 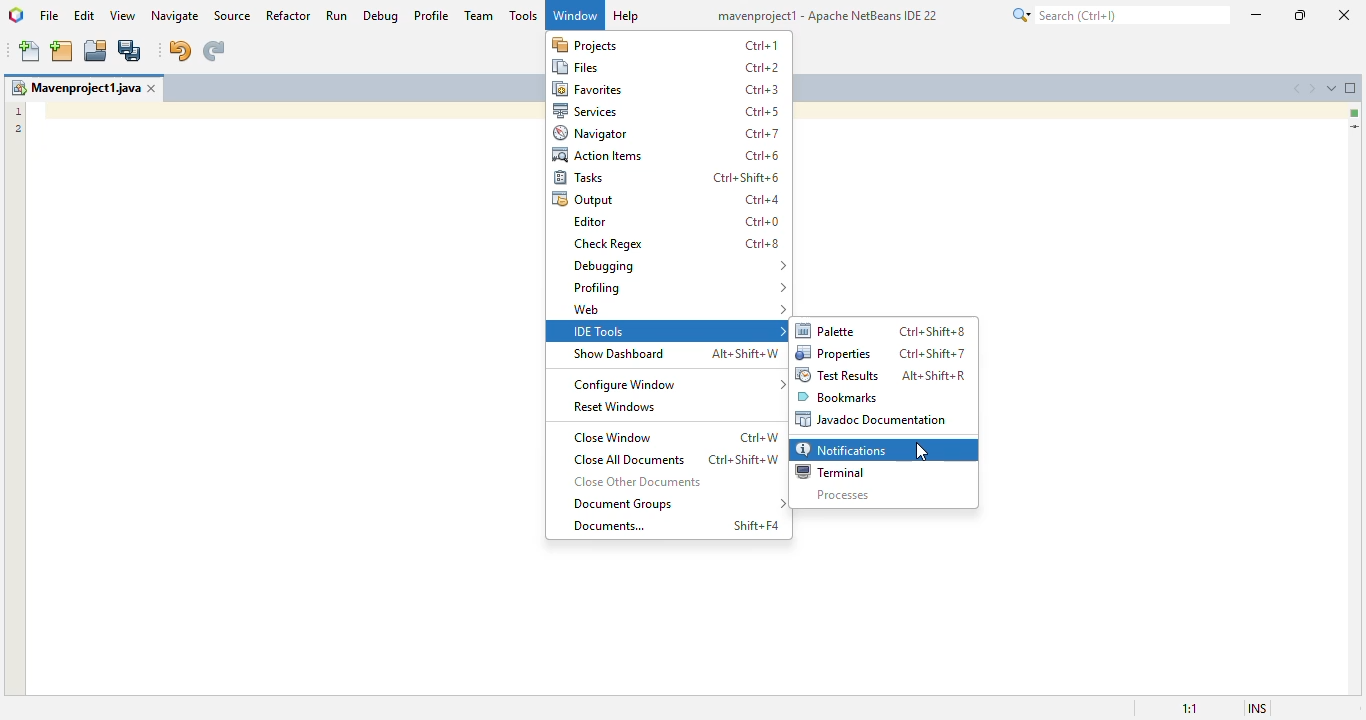 What do you see at coordinates (747, 177) in the screenshot?
I see `shortcut for tasks` at bounding box center [747, 177].